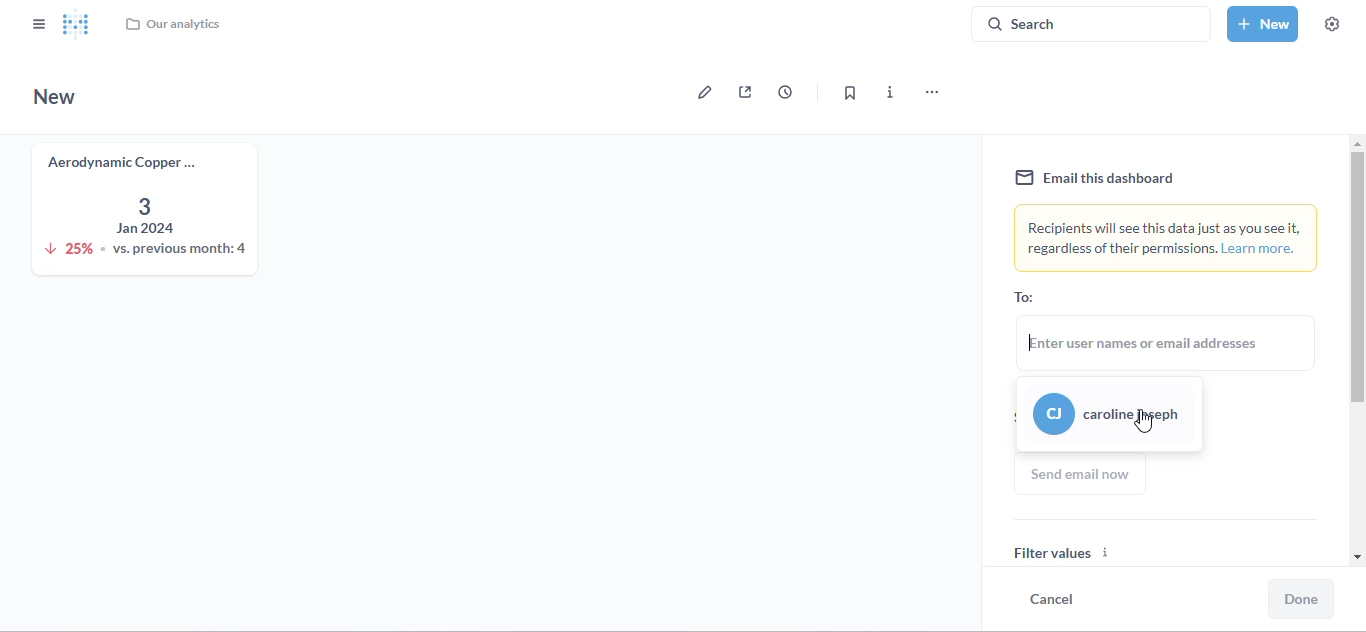 The height and width of the screenshot is (632, 1366). What do you see at coordinates (1263, 23) in the screenshot?
I see `new` at bounding box center [1263, 23].